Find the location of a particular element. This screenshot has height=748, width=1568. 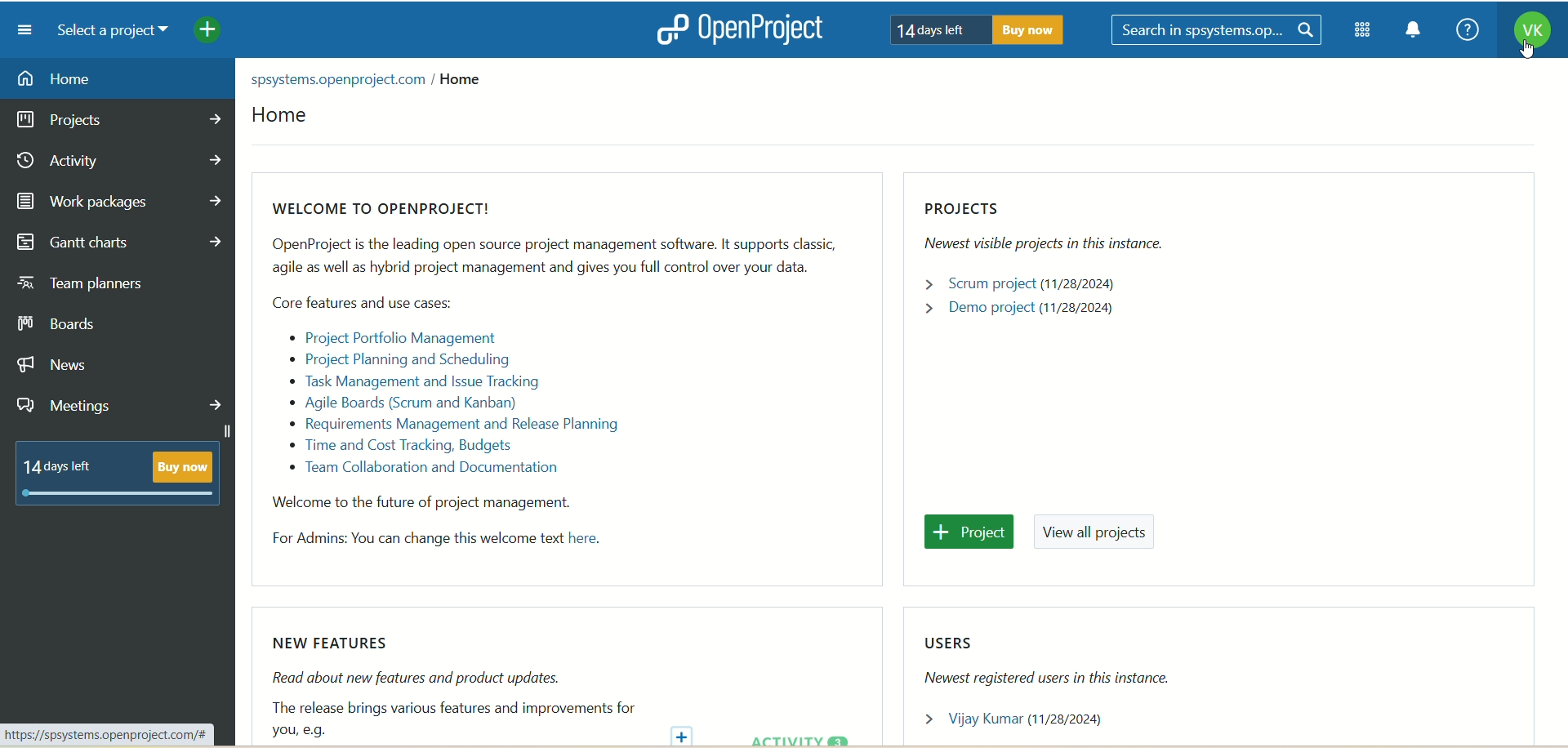

add menu is located at coordinates (209, 32).